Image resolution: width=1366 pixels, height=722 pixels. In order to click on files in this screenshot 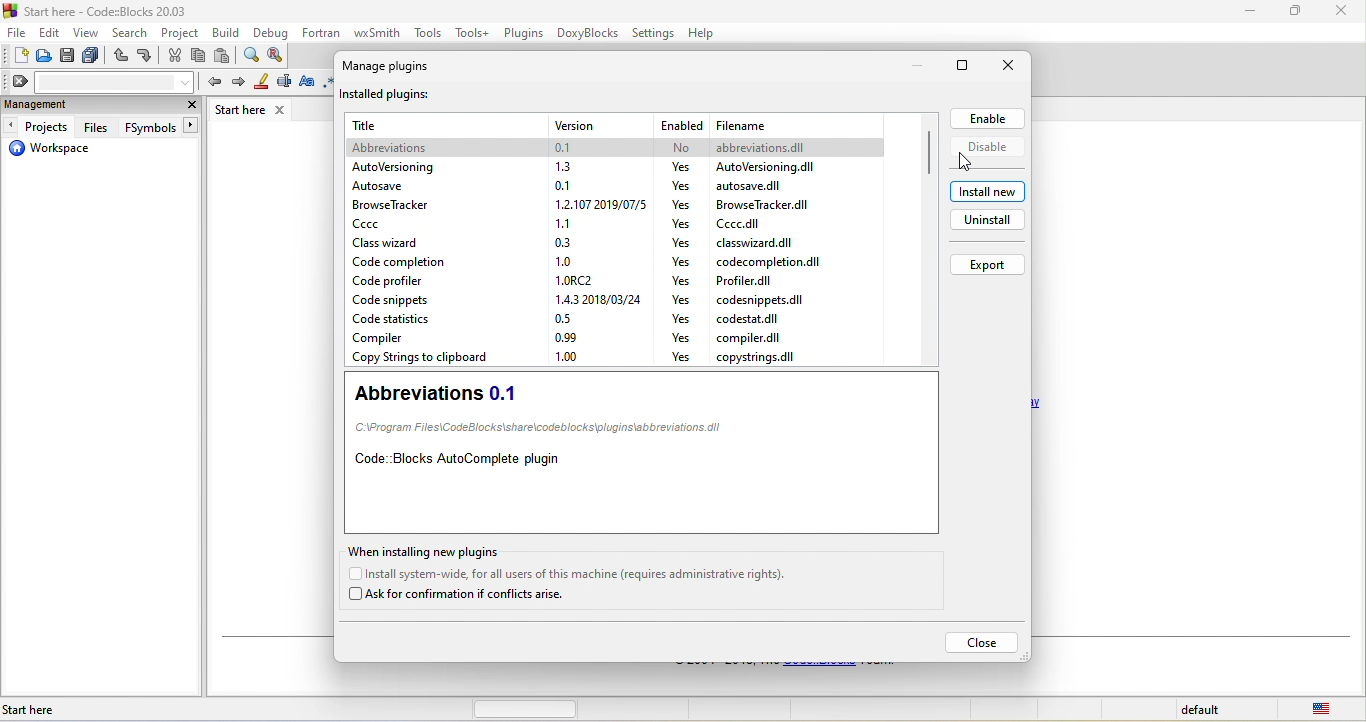, I will do `click(99, 127)`.